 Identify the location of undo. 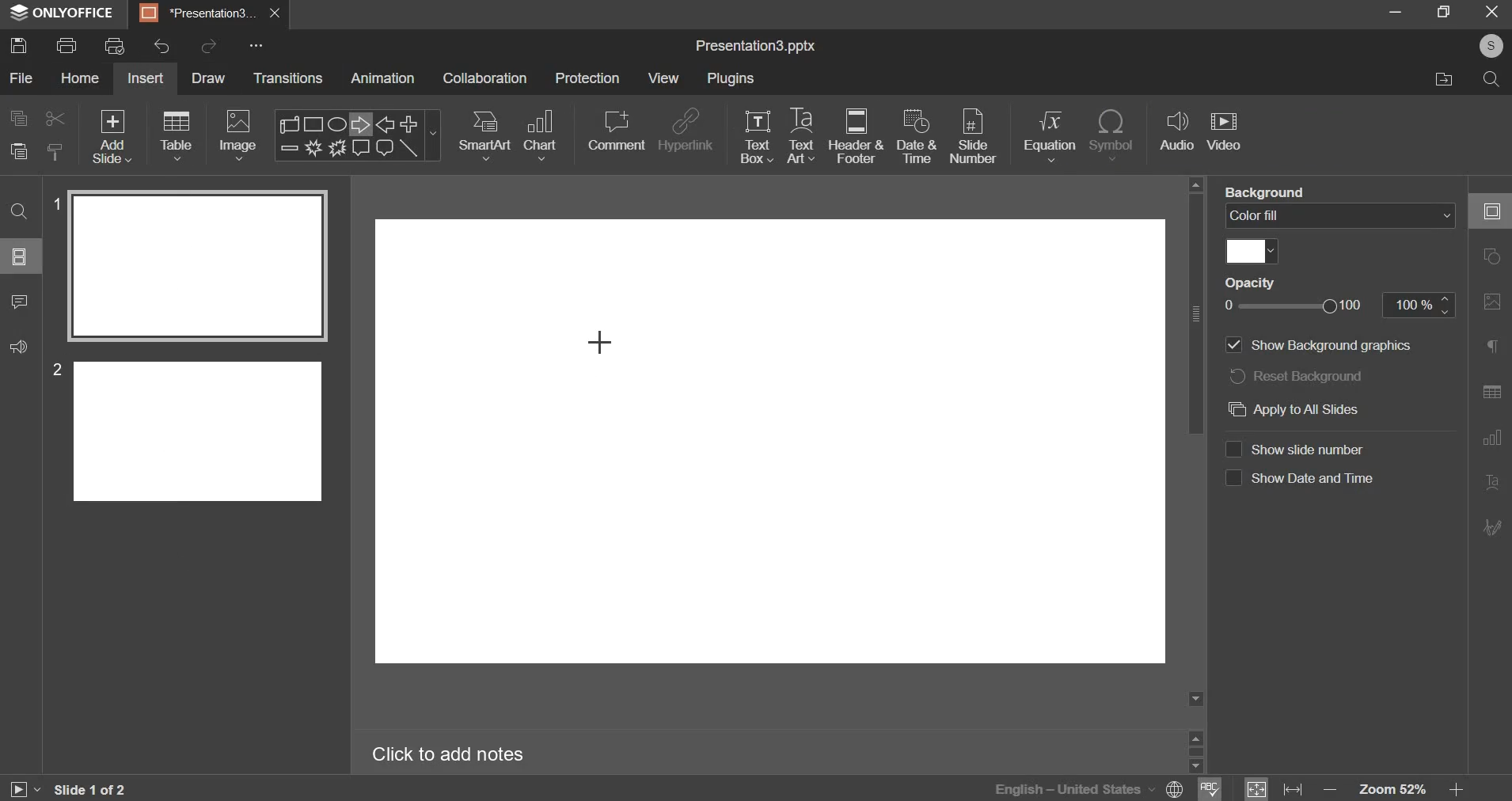
(161, 46).